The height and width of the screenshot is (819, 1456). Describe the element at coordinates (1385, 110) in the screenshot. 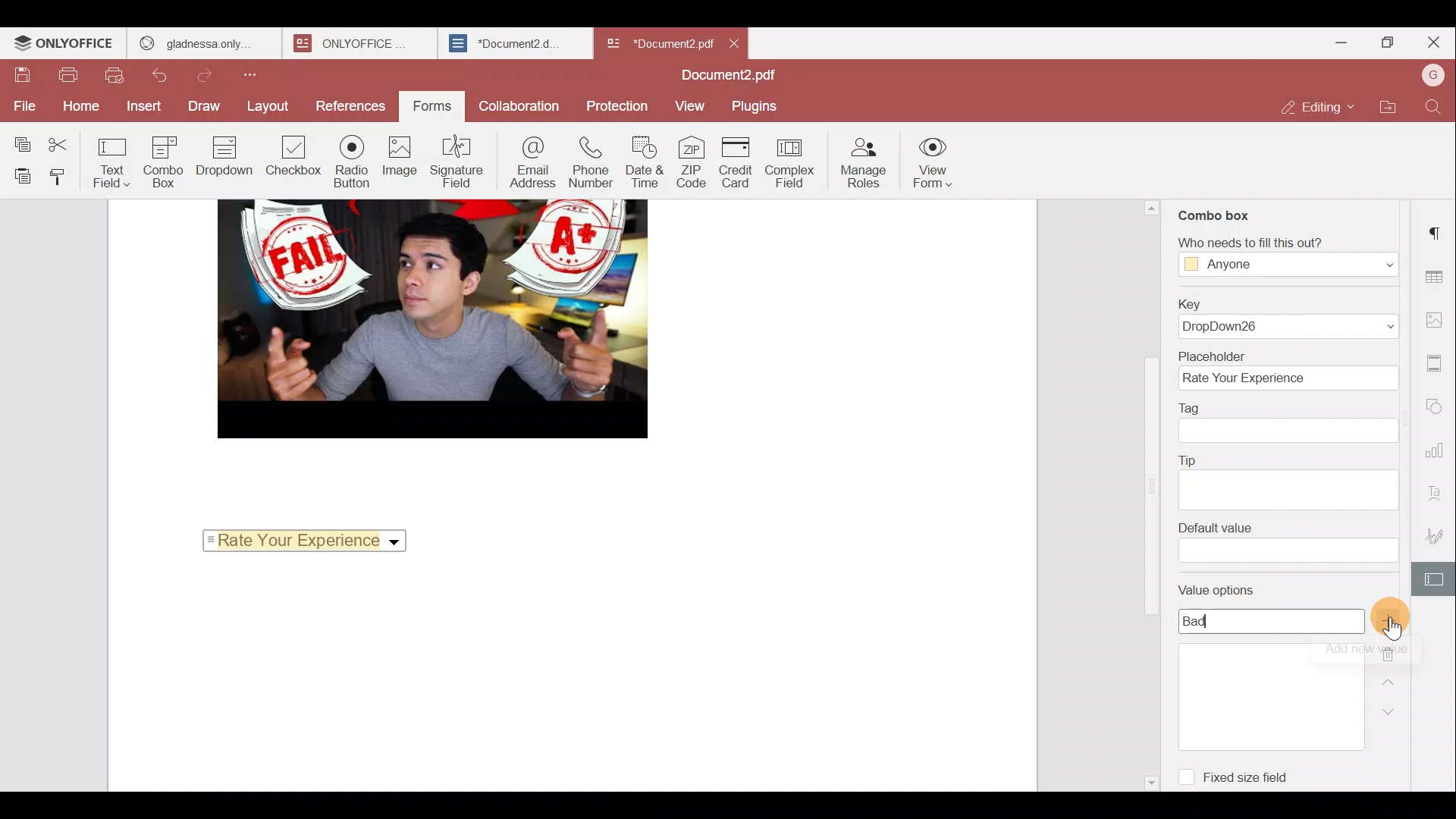

I see `Open file location` at that location.